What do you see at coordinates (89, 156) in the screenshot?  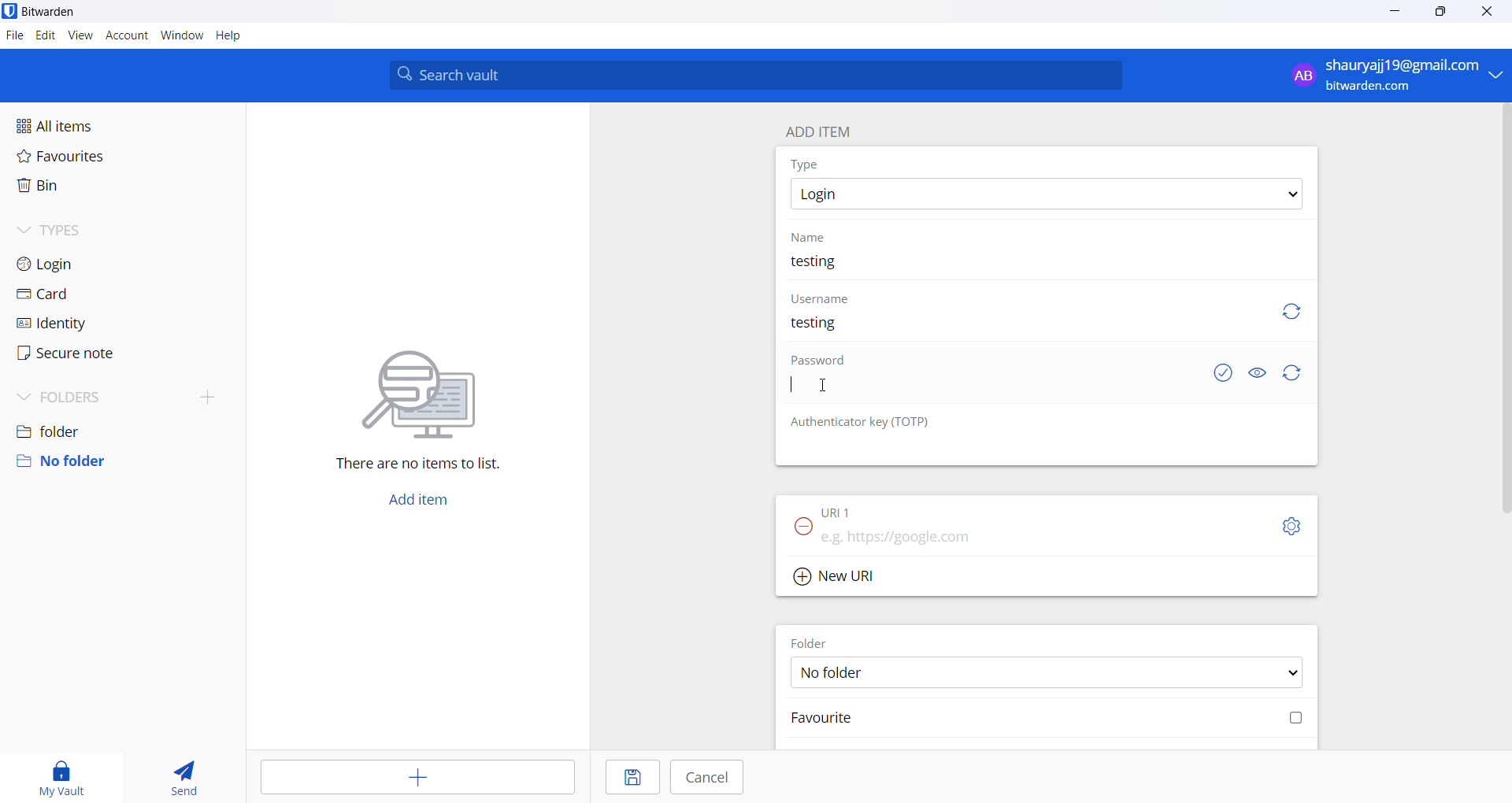 I see `favourites` at bounding box center [89, 156].